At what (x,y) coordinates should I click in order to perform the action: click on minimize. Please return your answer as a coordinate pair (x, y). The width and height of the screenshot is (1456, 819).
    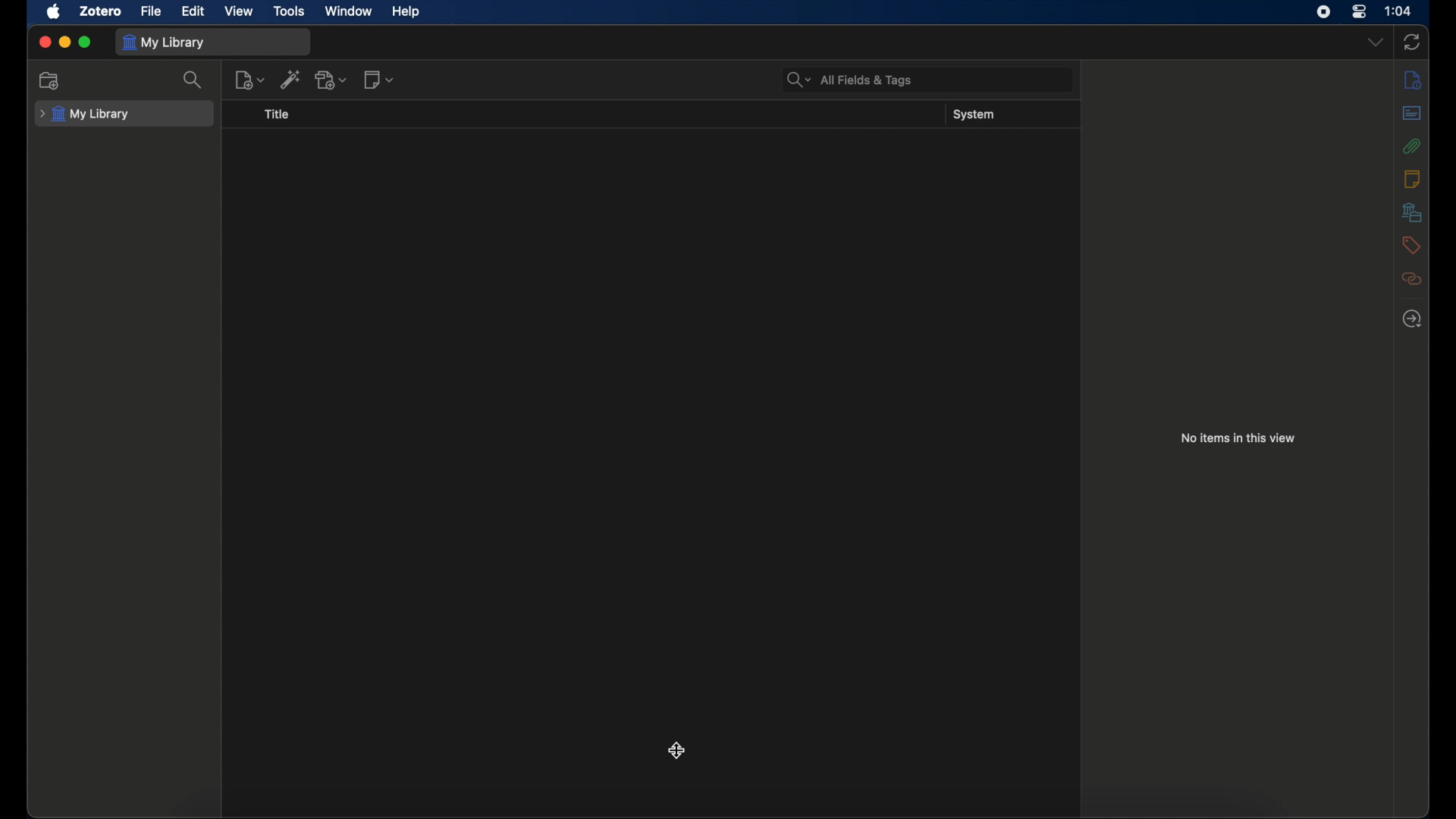
    Looking at the image, I should click on (64, 42).